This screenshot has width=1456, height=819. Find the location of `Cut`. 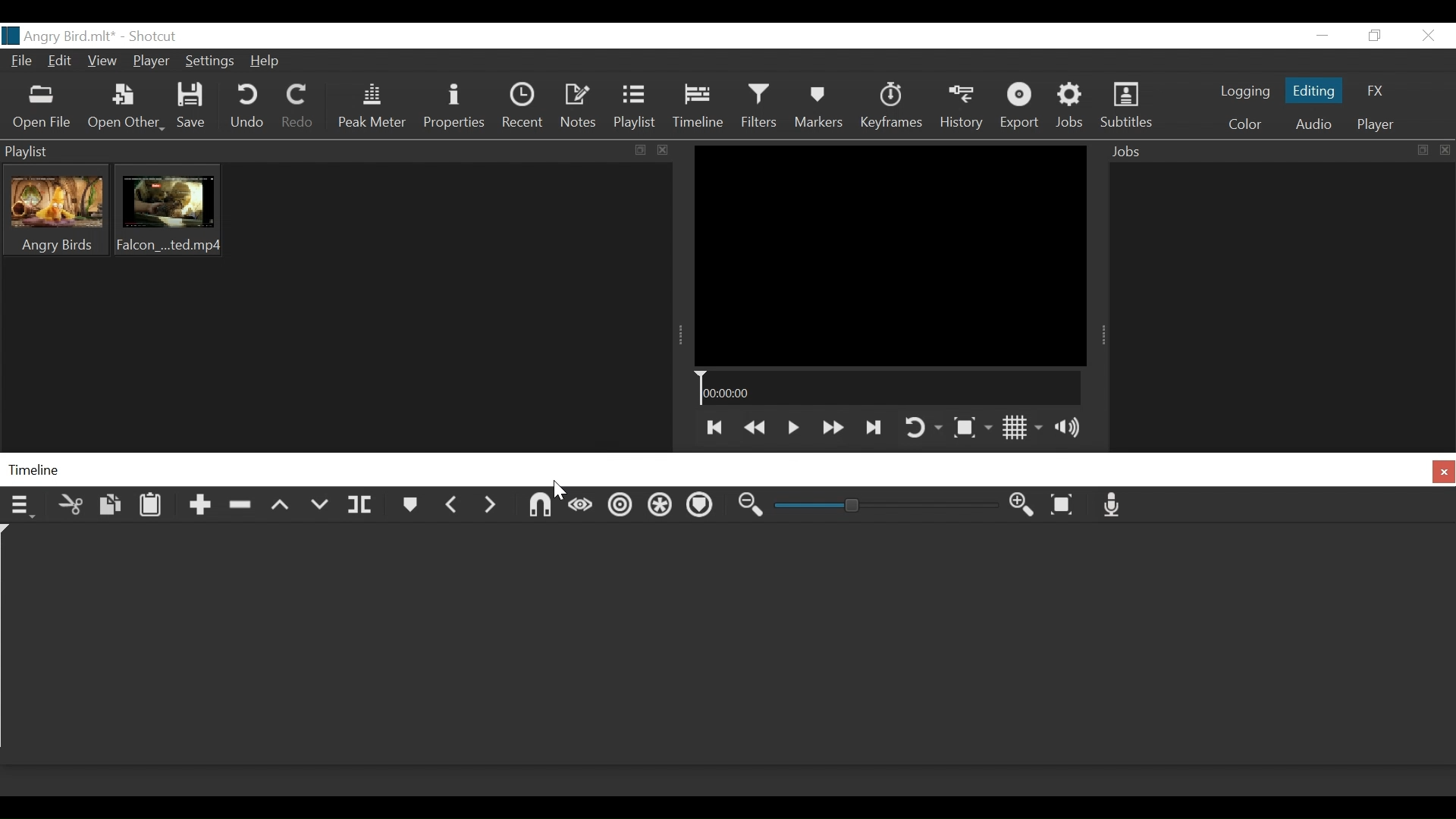

Cut is located at coordinates (70, 505).